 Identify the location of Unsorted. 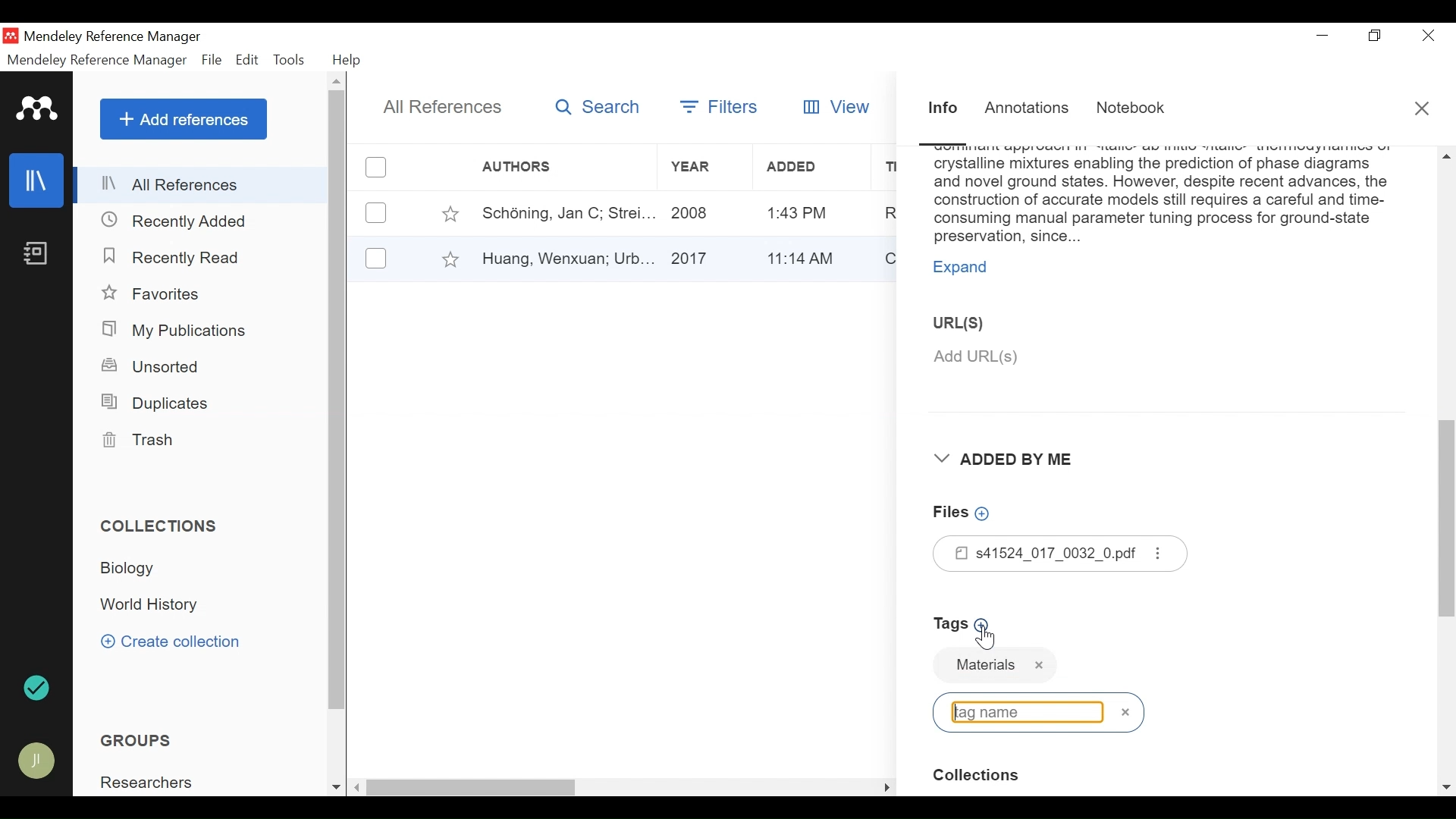
(152, 366).